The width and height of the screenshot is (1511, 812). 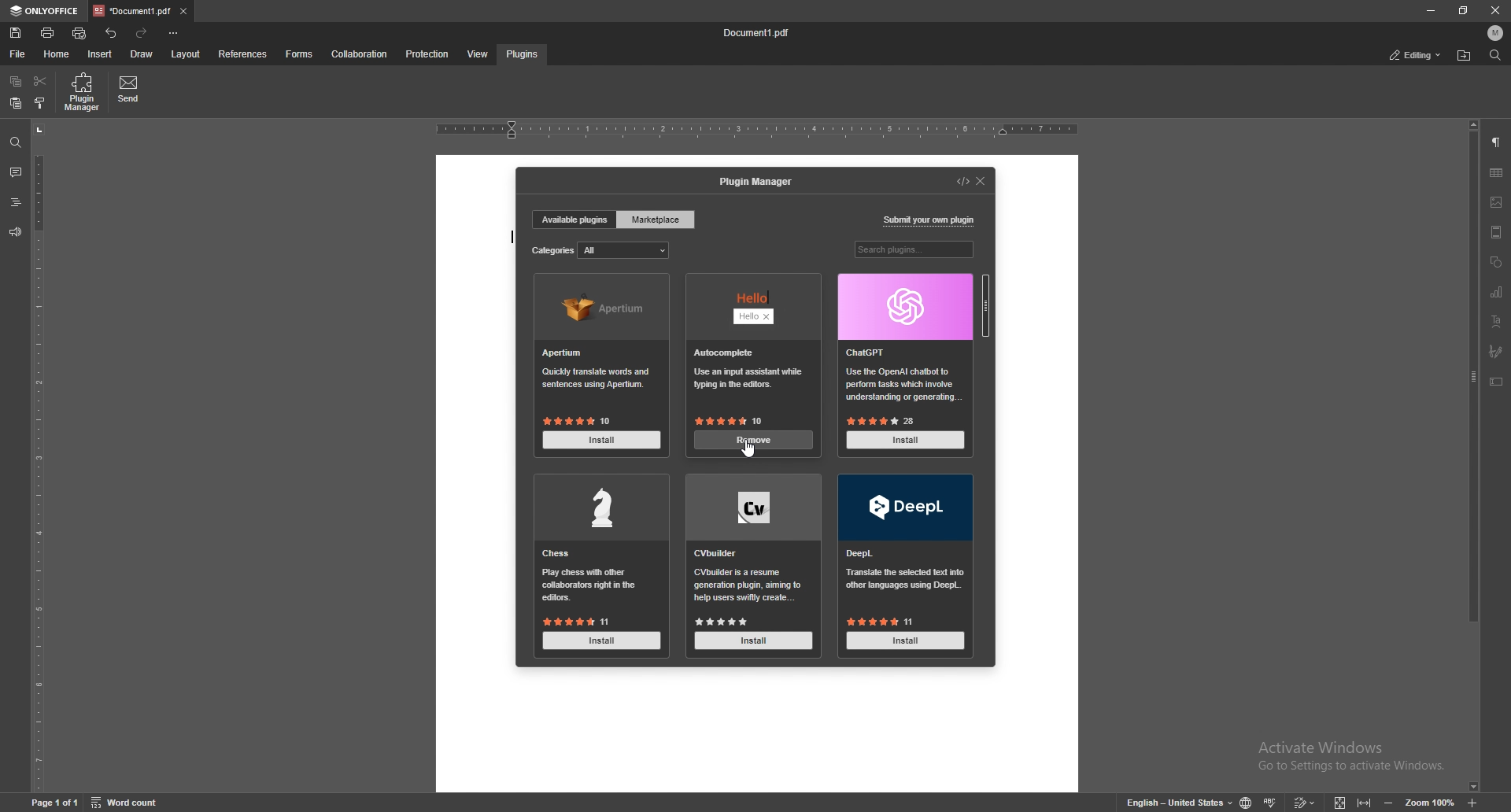 What do you see at coordinates (300, 54) in the screenshot?
I see `forms` at bounding box center [300, 54].